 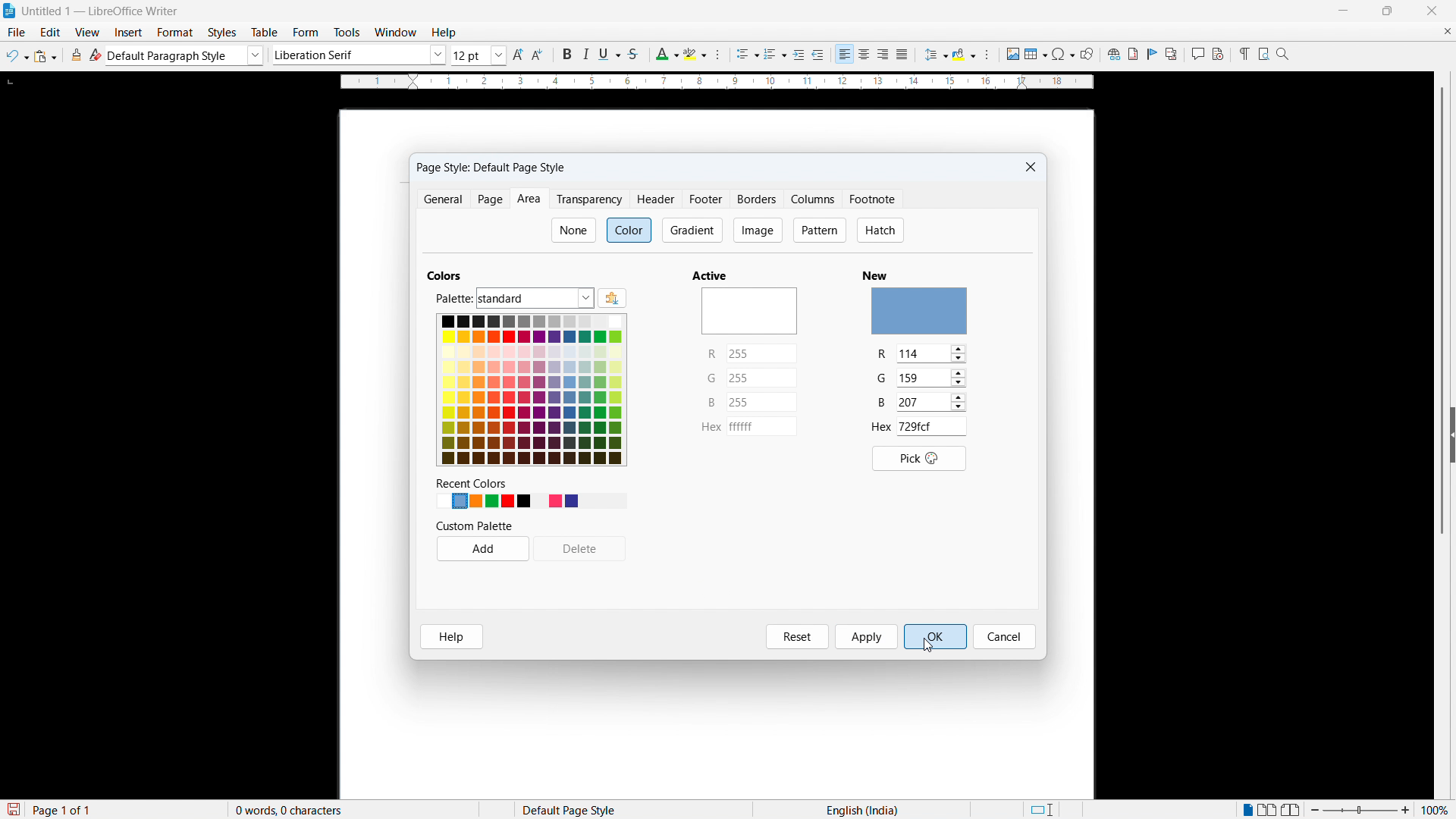 I want to click on Columns , so click(x=814, y=199).